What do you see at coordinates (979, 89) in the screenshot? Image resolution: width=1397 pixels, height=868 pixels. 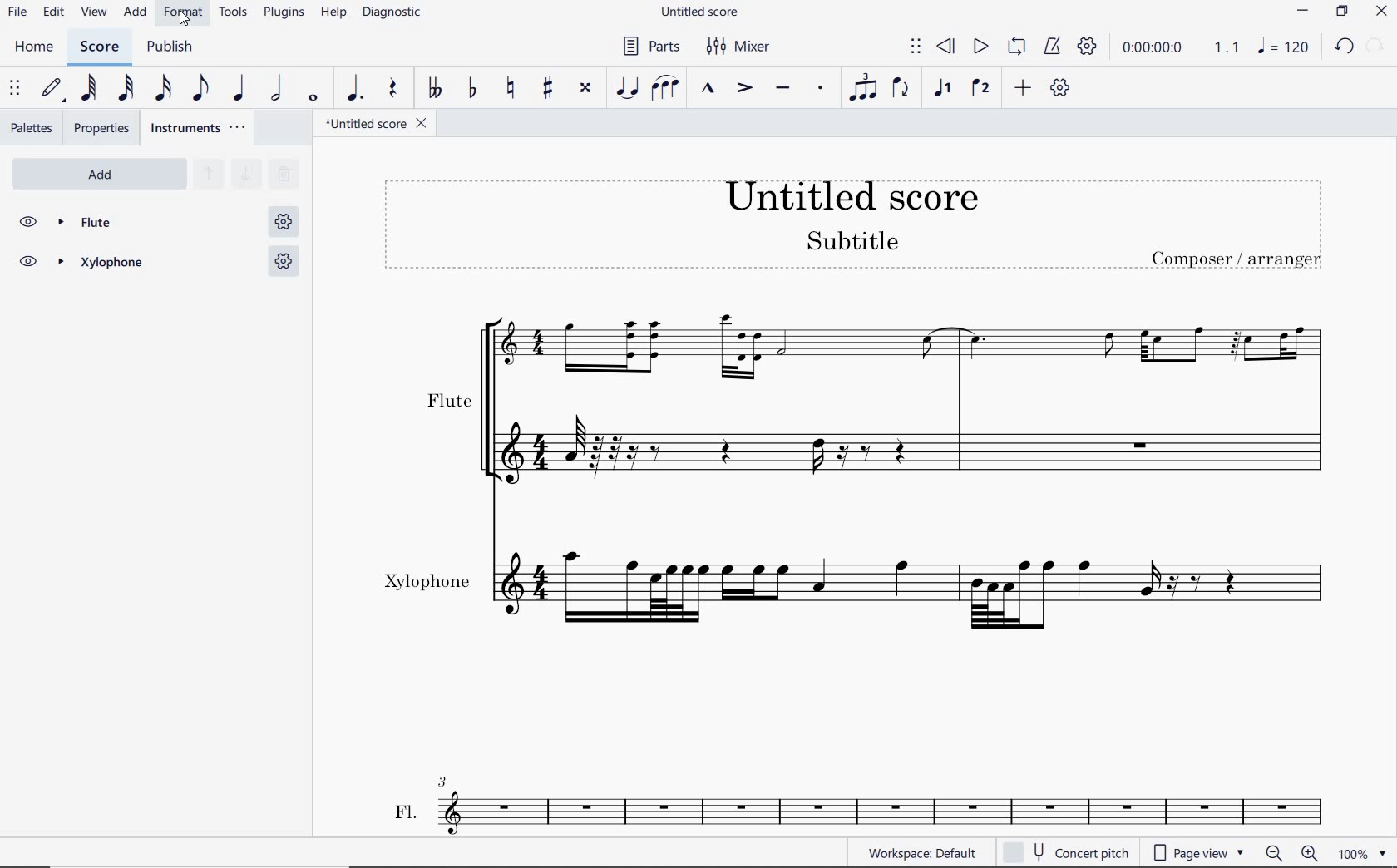 I see `VOICE 2` at bounding box center [979, 89].